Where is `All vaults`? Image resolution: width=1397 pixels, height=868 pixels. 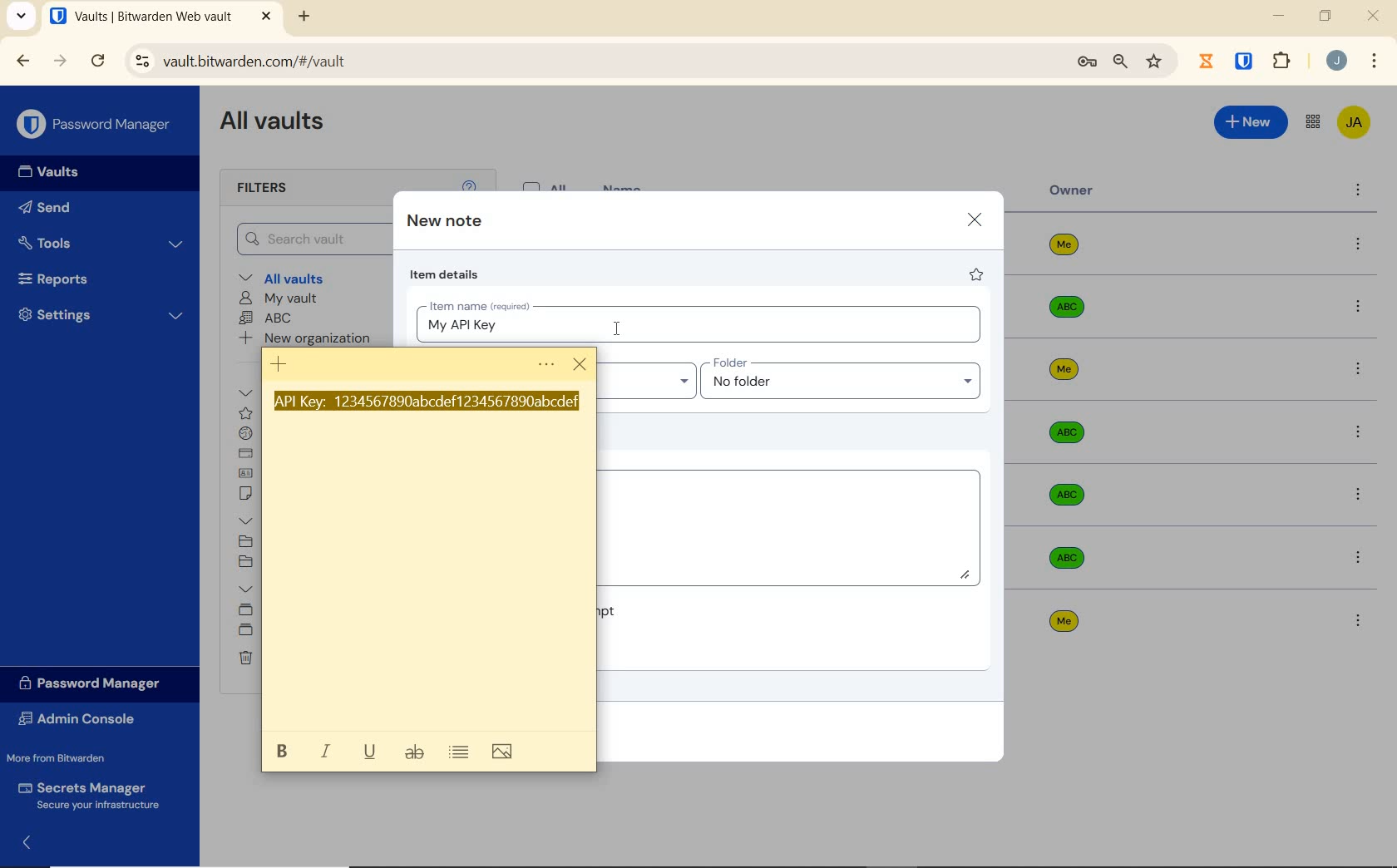
All vaults is located at coordinates (297, 279).